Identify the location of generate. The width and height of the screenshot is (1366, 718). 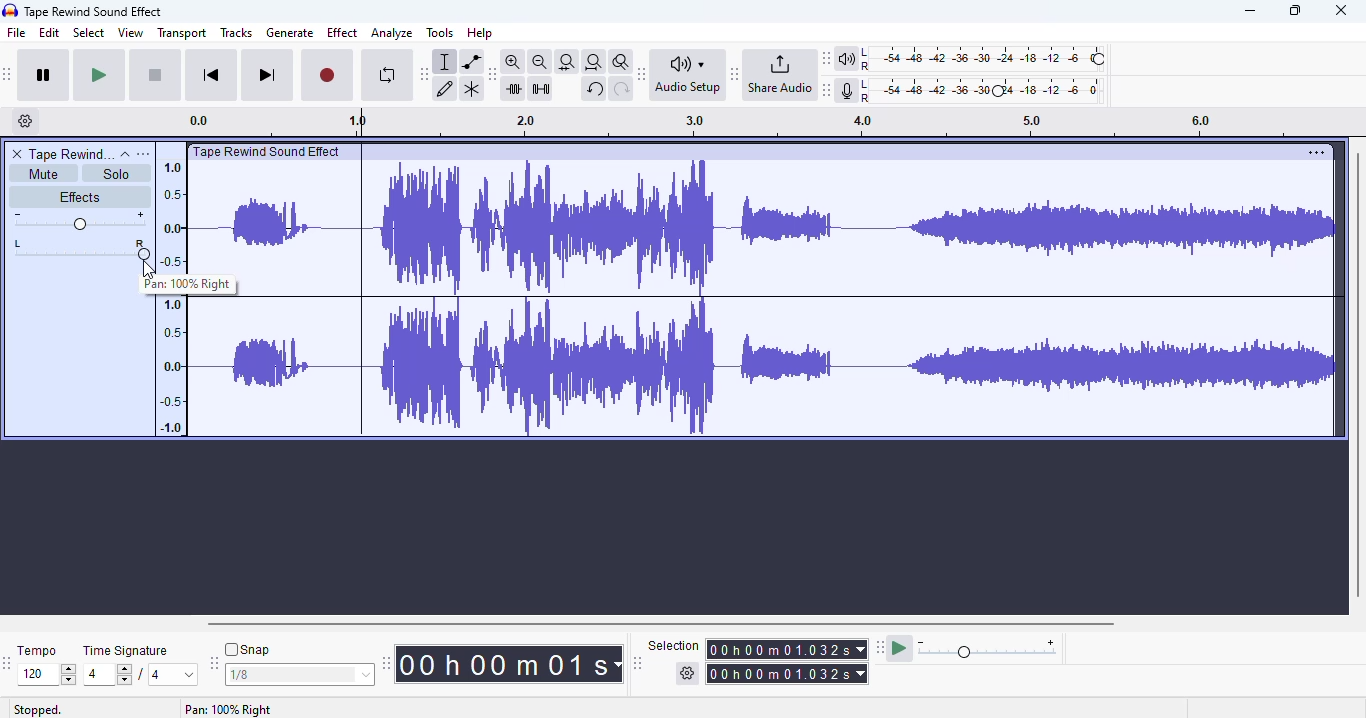
(290, 33).